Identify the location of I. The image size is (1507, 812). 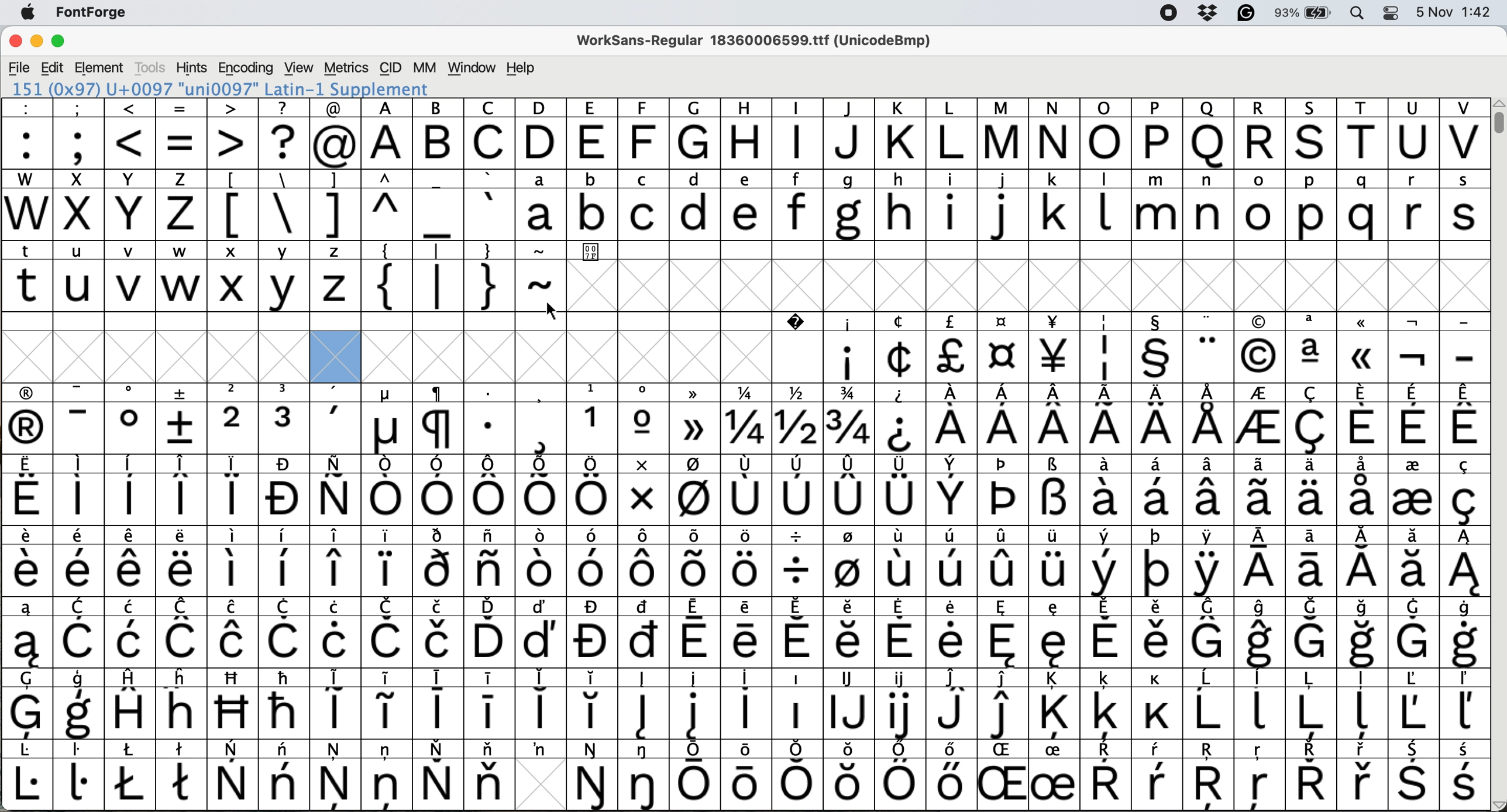
(799, 133).